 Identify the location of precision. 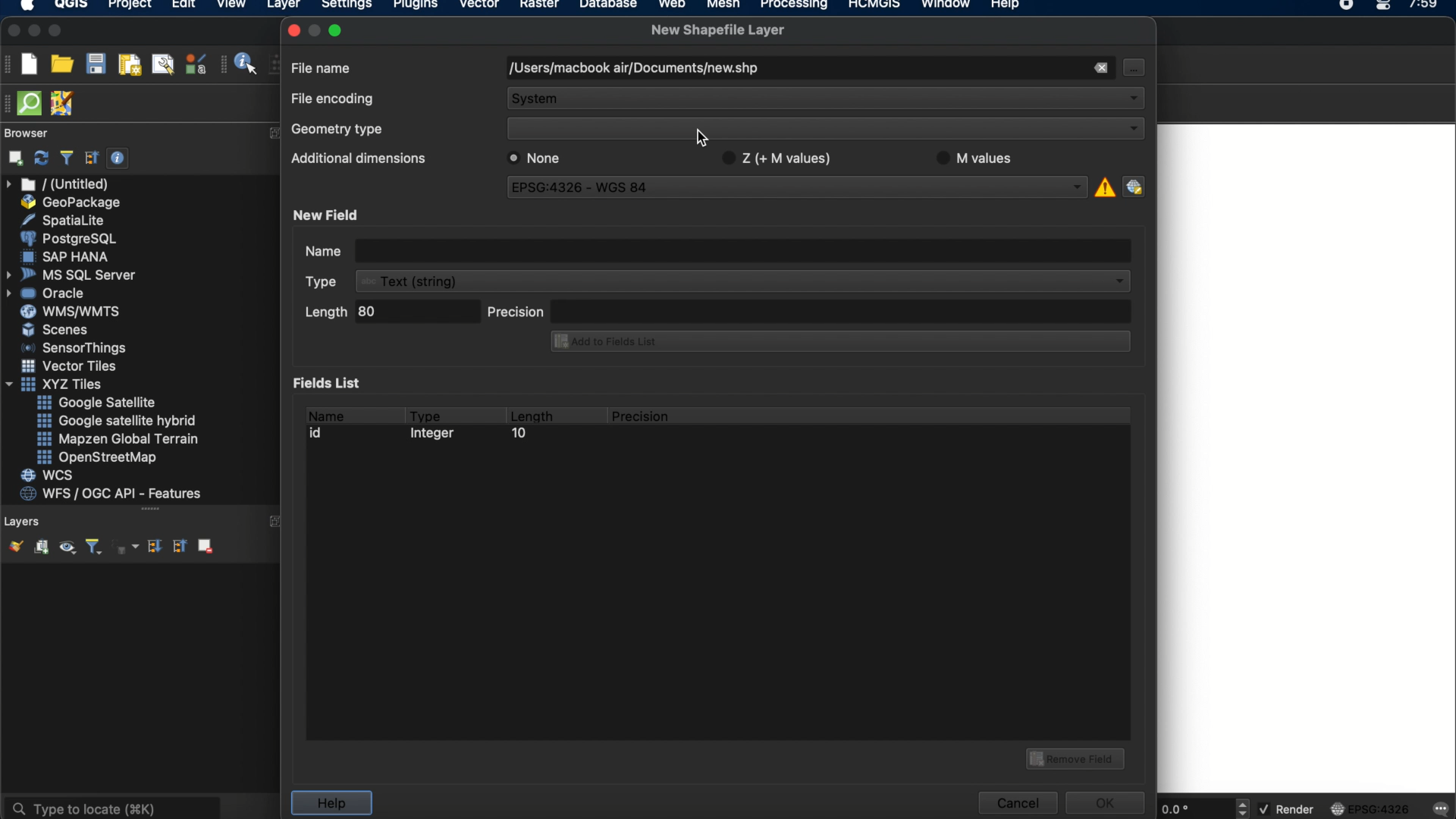
(809, 310).